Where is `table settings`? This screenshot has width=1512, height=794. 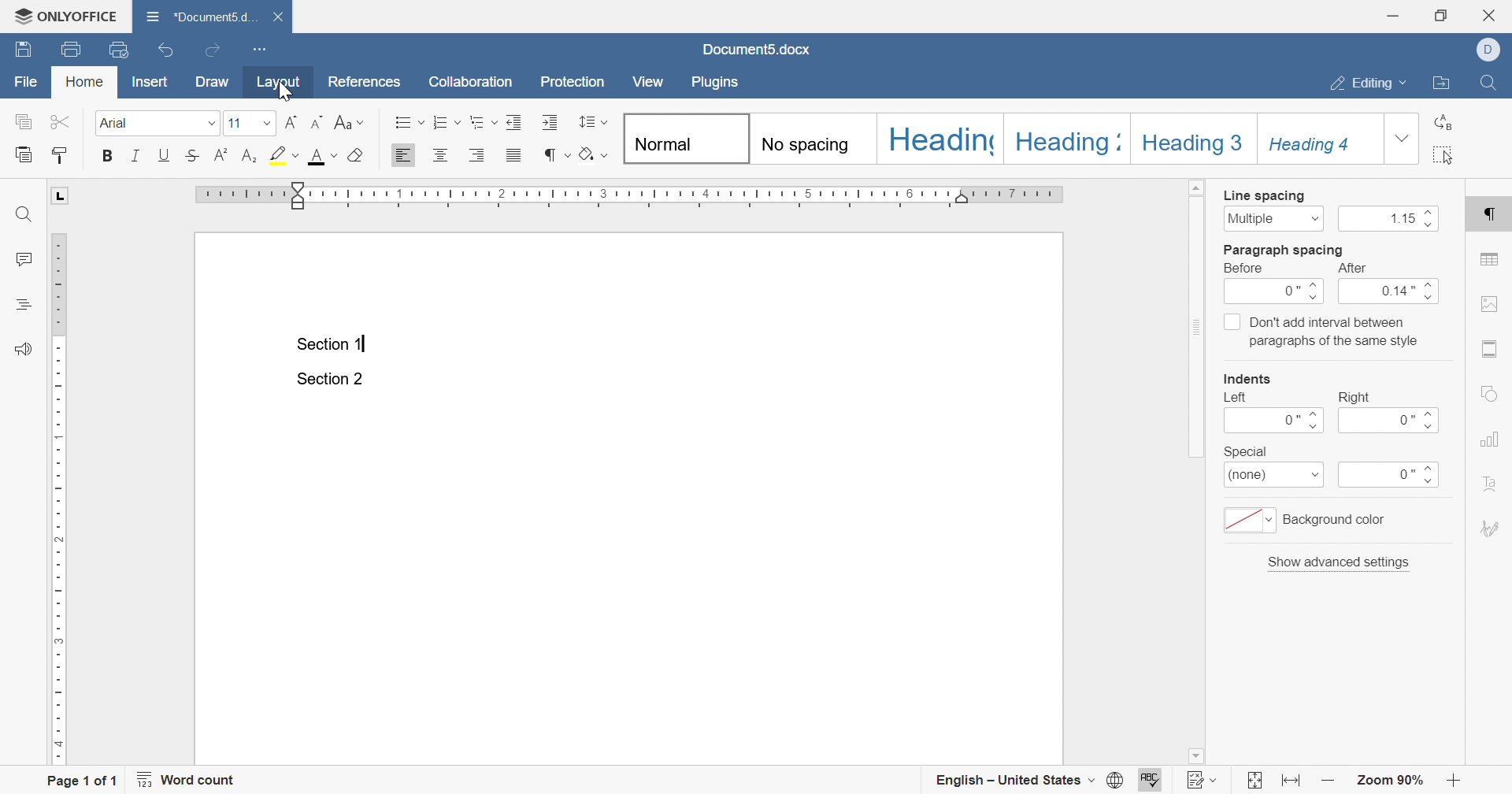
table settings is located at coordinates (1491, 259).